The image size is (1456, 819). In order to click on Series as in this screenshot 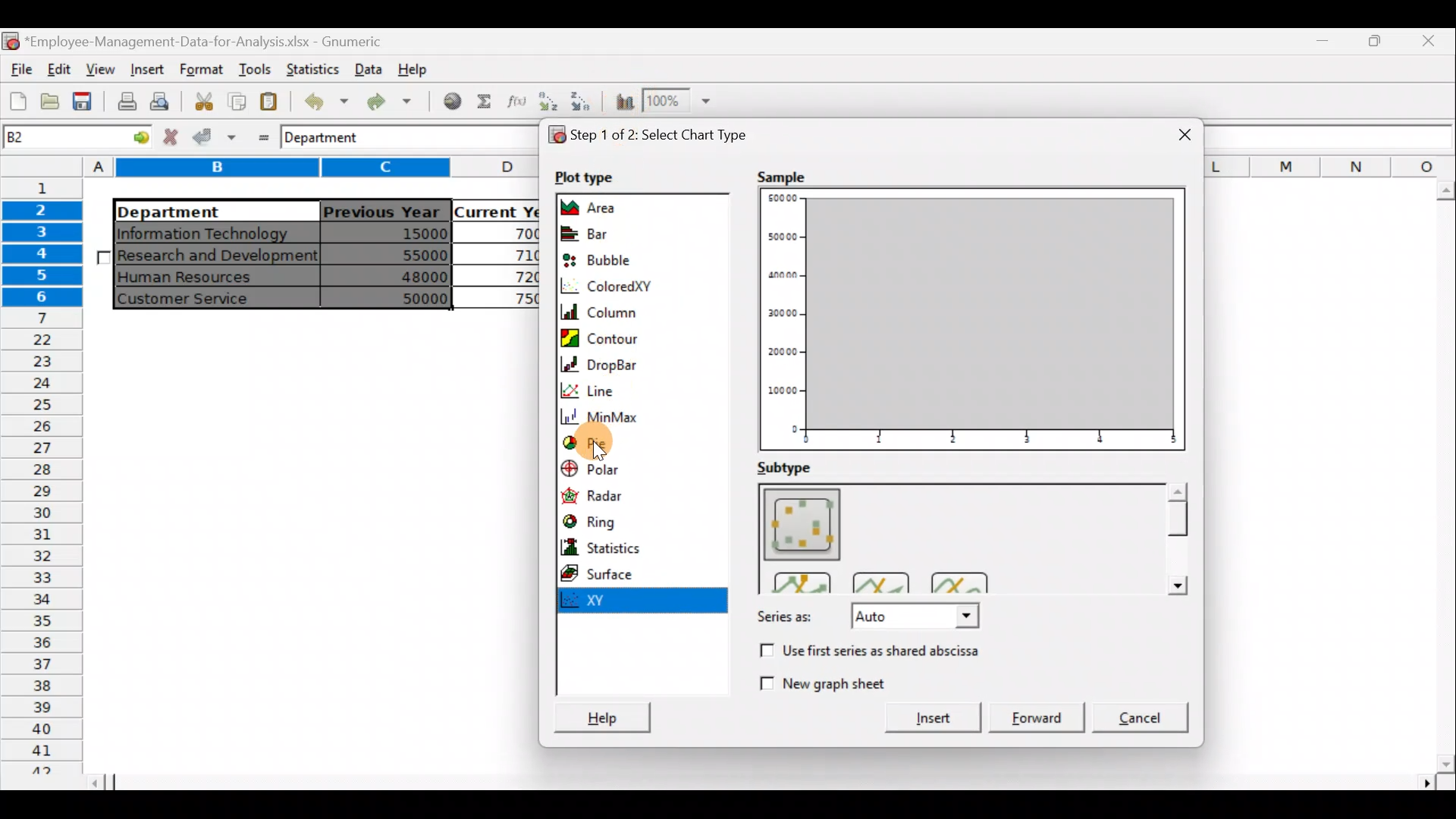, I will do `click(865, 618)`.